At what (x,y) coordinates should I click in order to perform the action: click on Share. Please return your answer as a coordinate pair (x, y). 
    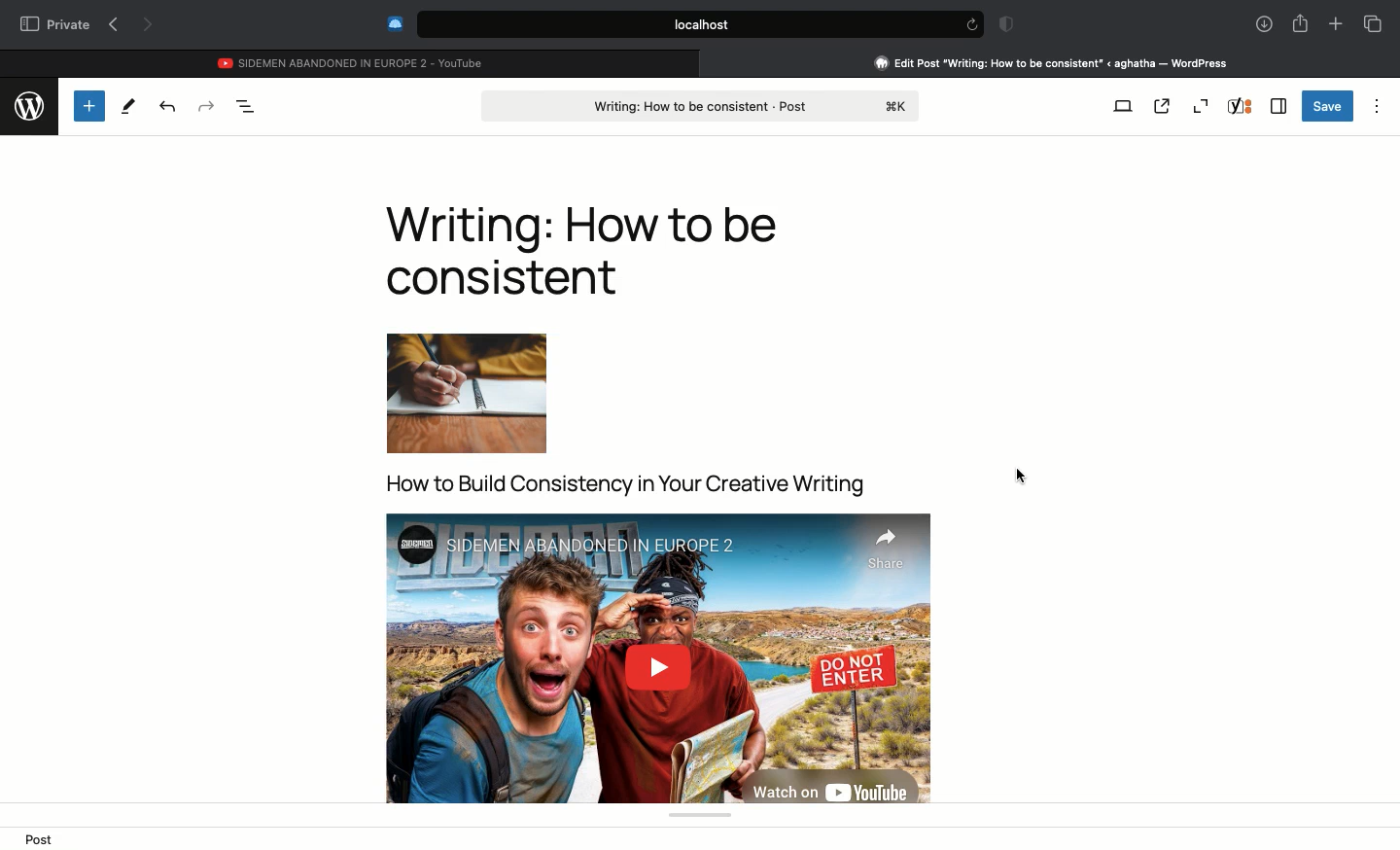
    Looking at the image, I should click on (1300, 21).